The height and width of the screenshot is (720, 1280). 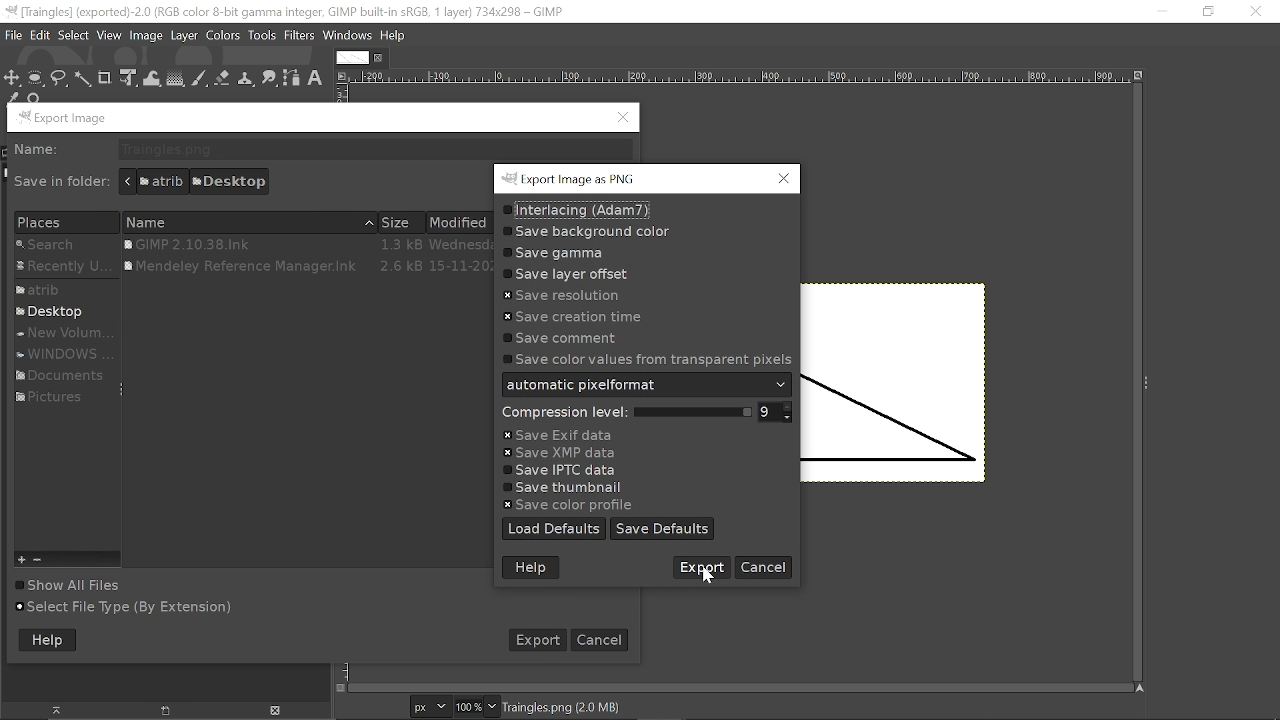 I want to click on View, so click(x=110, y=36).